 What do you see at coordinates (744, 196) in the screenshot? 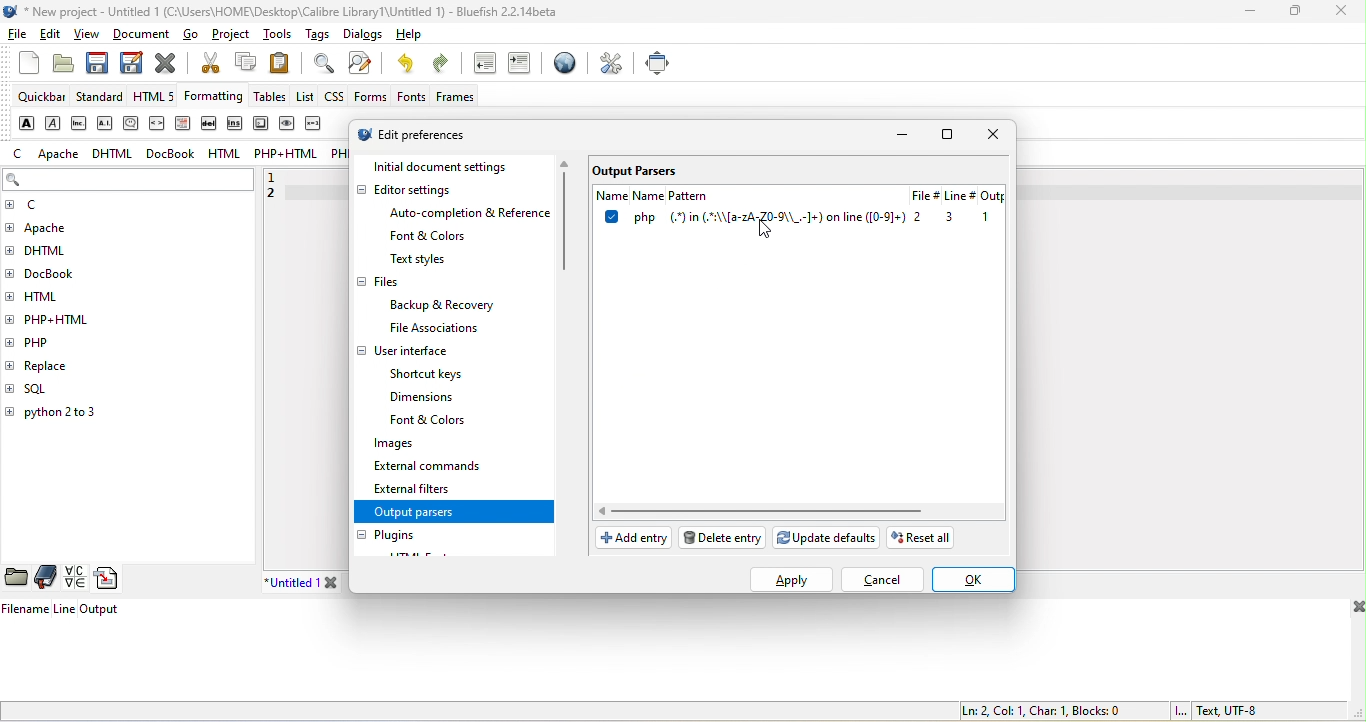
I see `name pattern` at bounding box center [744, 196].